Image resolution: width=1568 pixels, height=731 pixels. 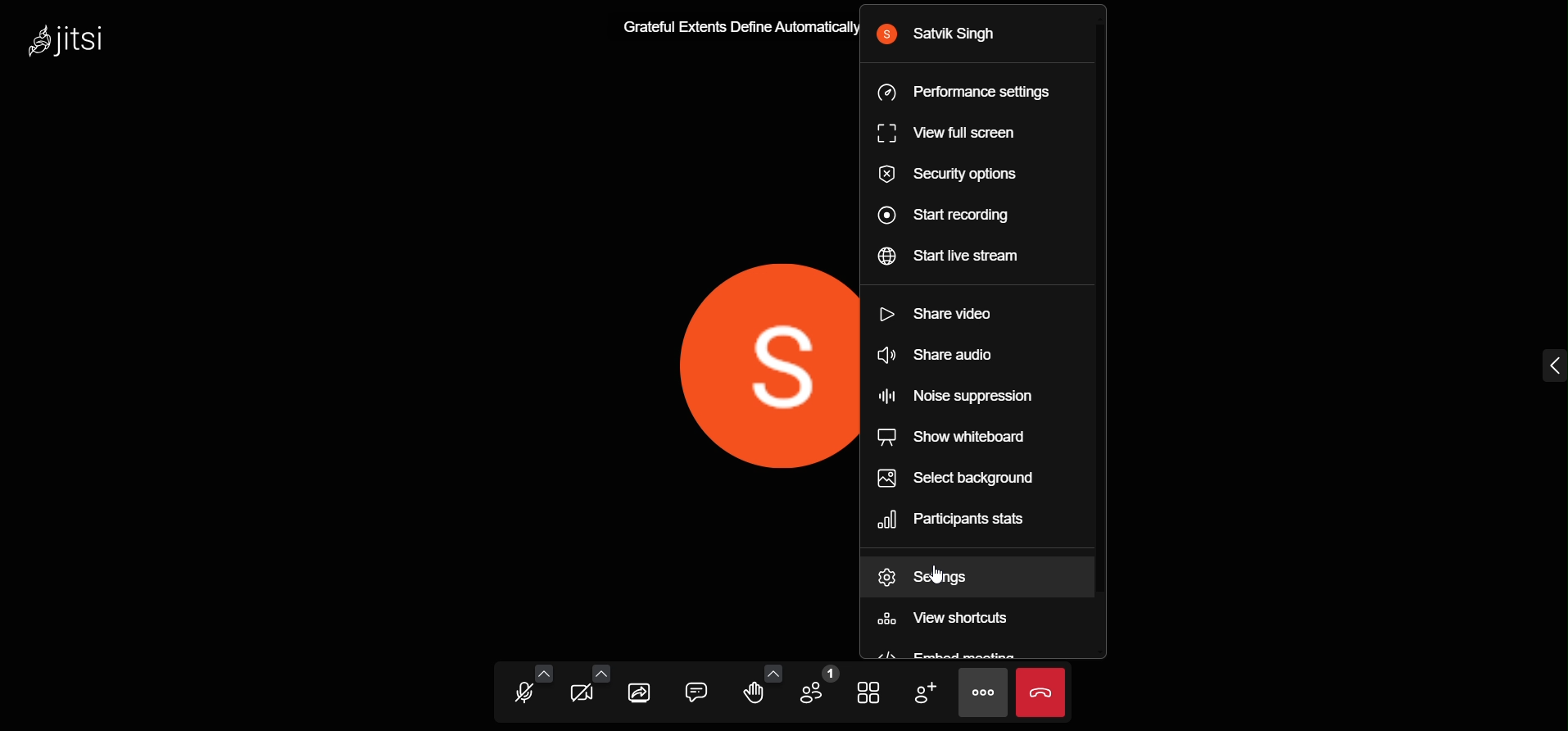 I want to click on user name , so click(x=944, y=34).